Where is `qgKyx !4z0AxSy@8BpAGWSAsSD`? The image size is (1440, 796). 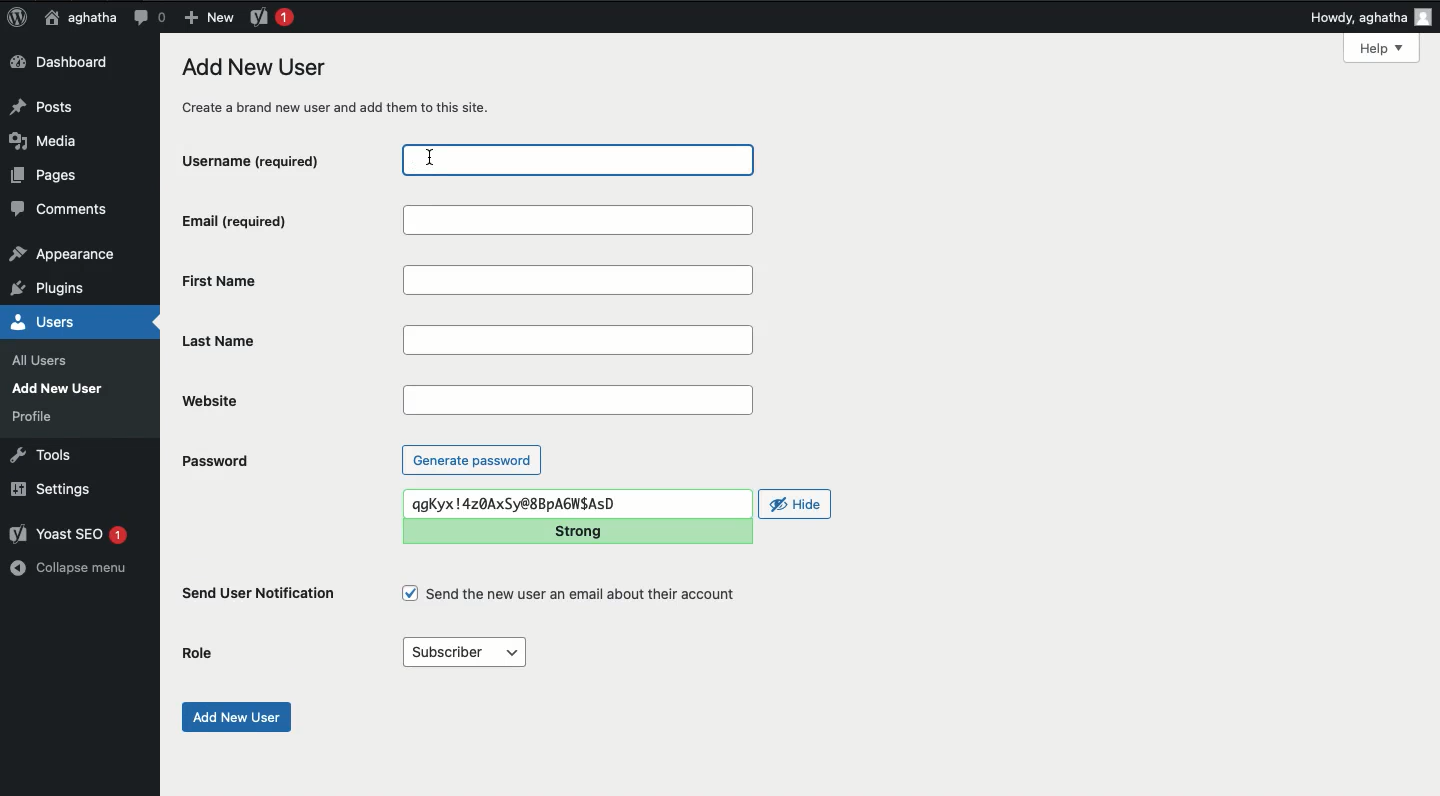 qgKyx !4z0AxSy@8BpAGWSAsSD is located at coordinates (577, 504).